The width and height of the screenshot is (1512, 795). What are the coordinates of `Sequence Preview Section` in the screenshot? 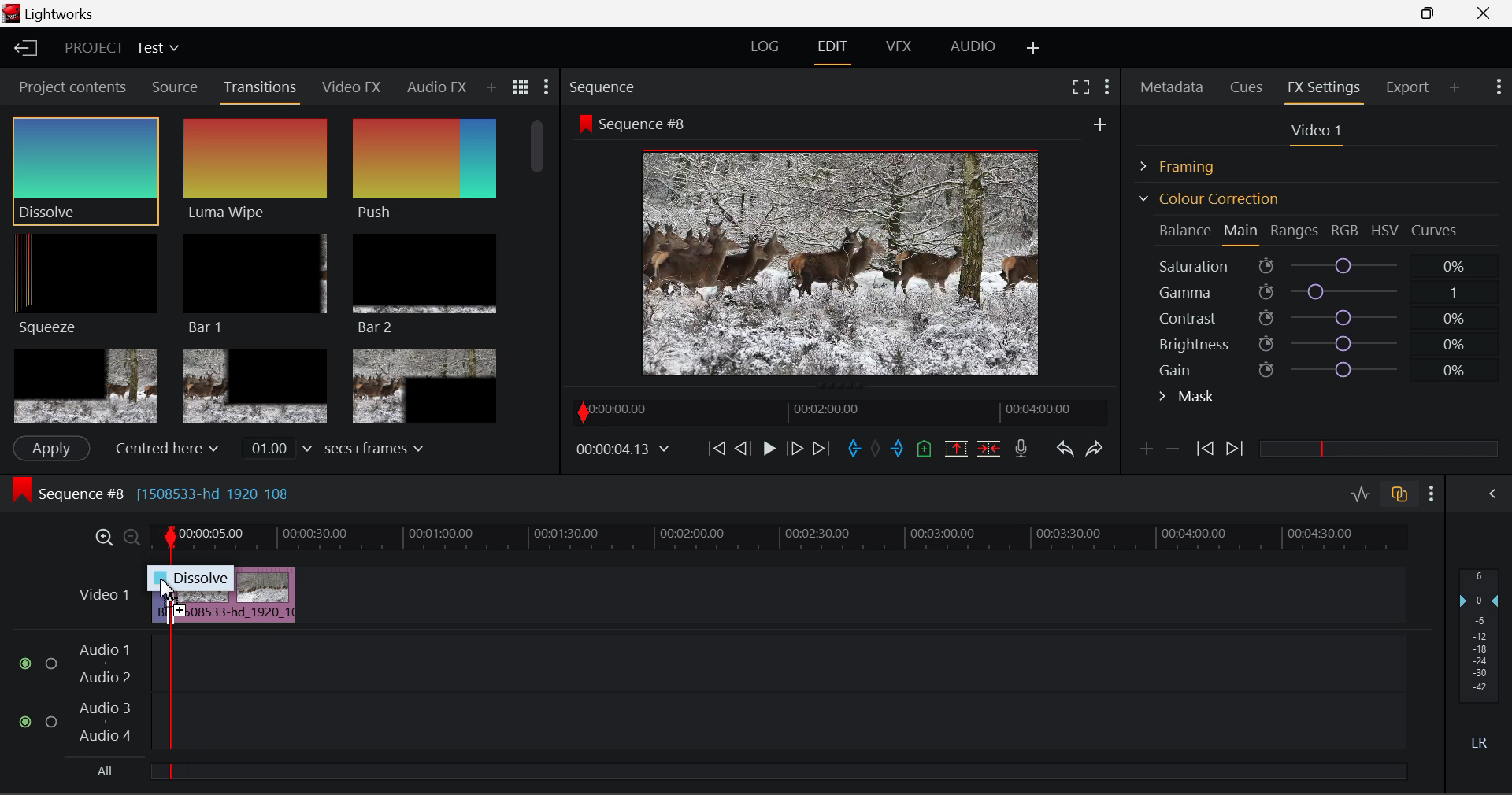 It's located at (606, 88).